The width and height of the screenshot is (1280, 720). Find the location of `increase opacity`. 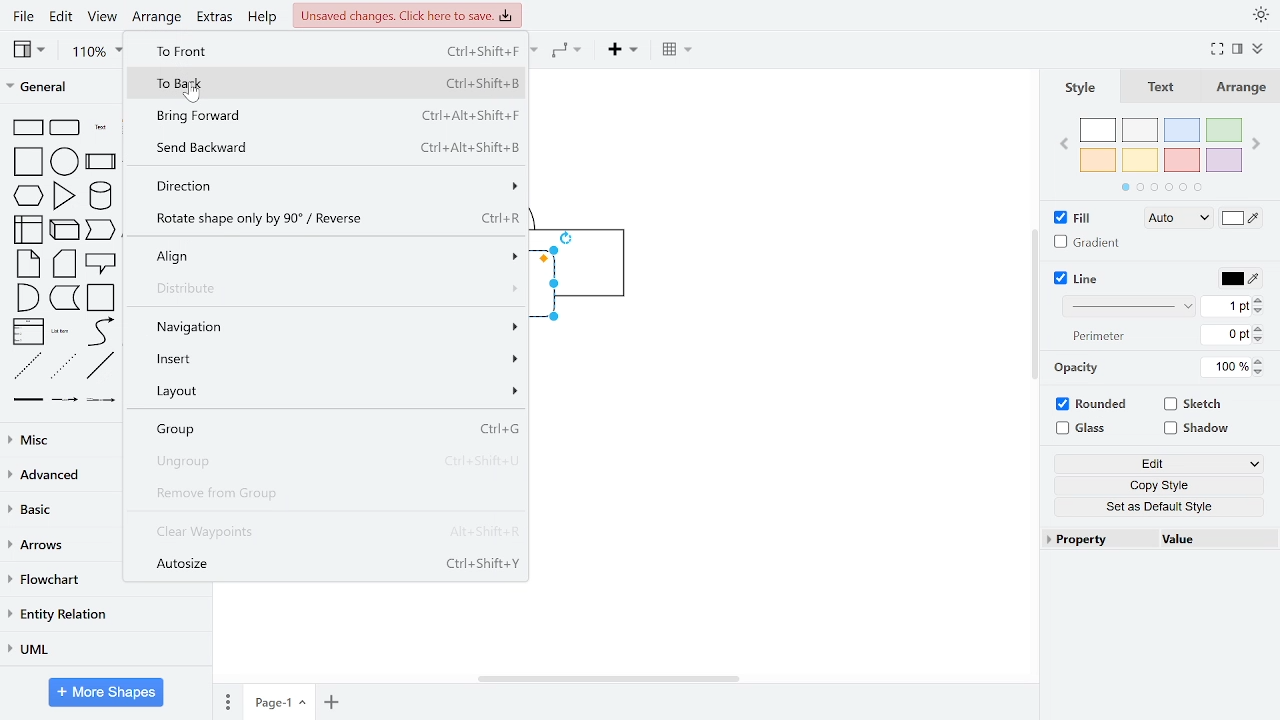

increase opacity is located at coordinates (1259, 361).